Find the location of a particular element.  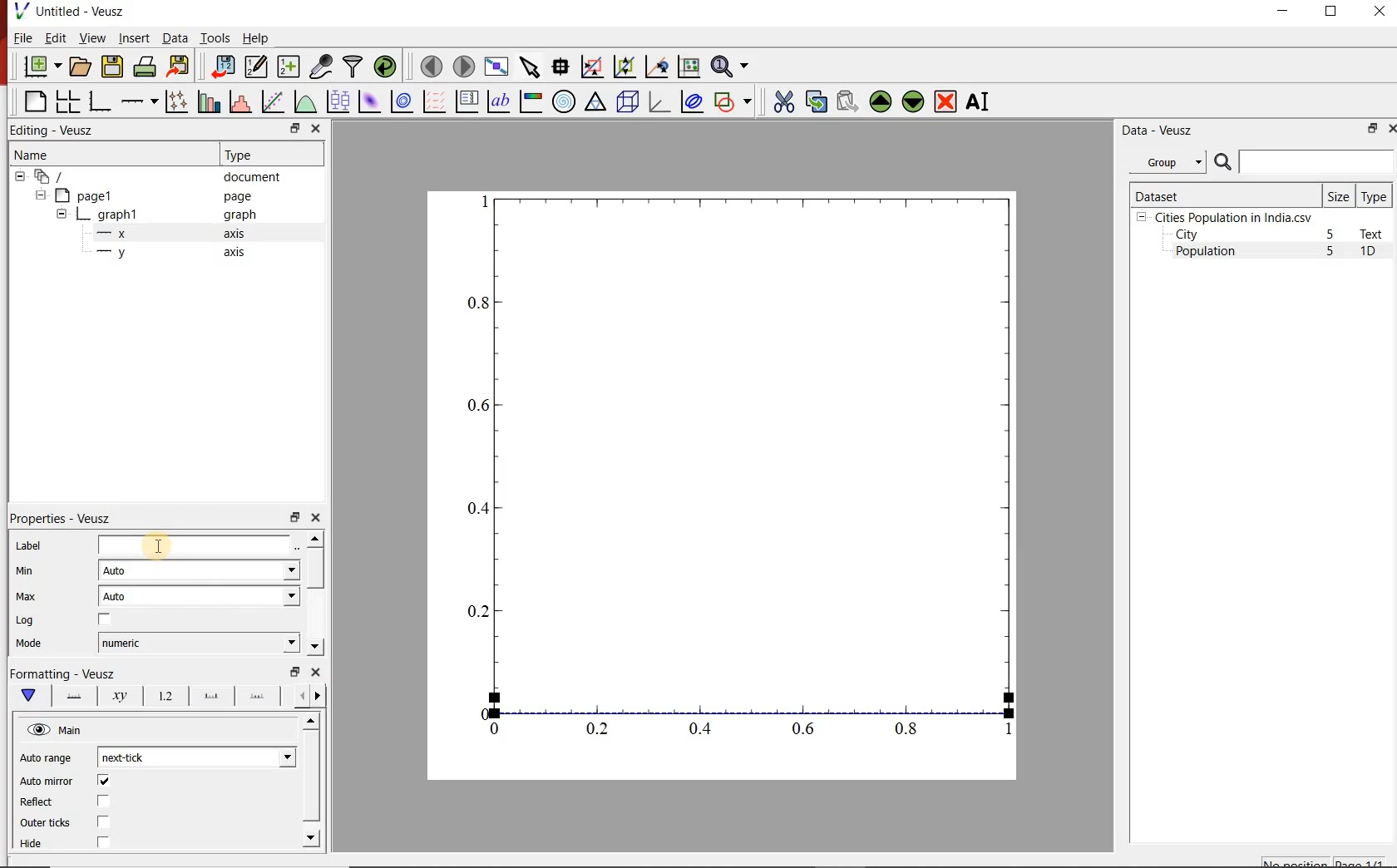

move the selected widget down is located at coordinates (913, 101).